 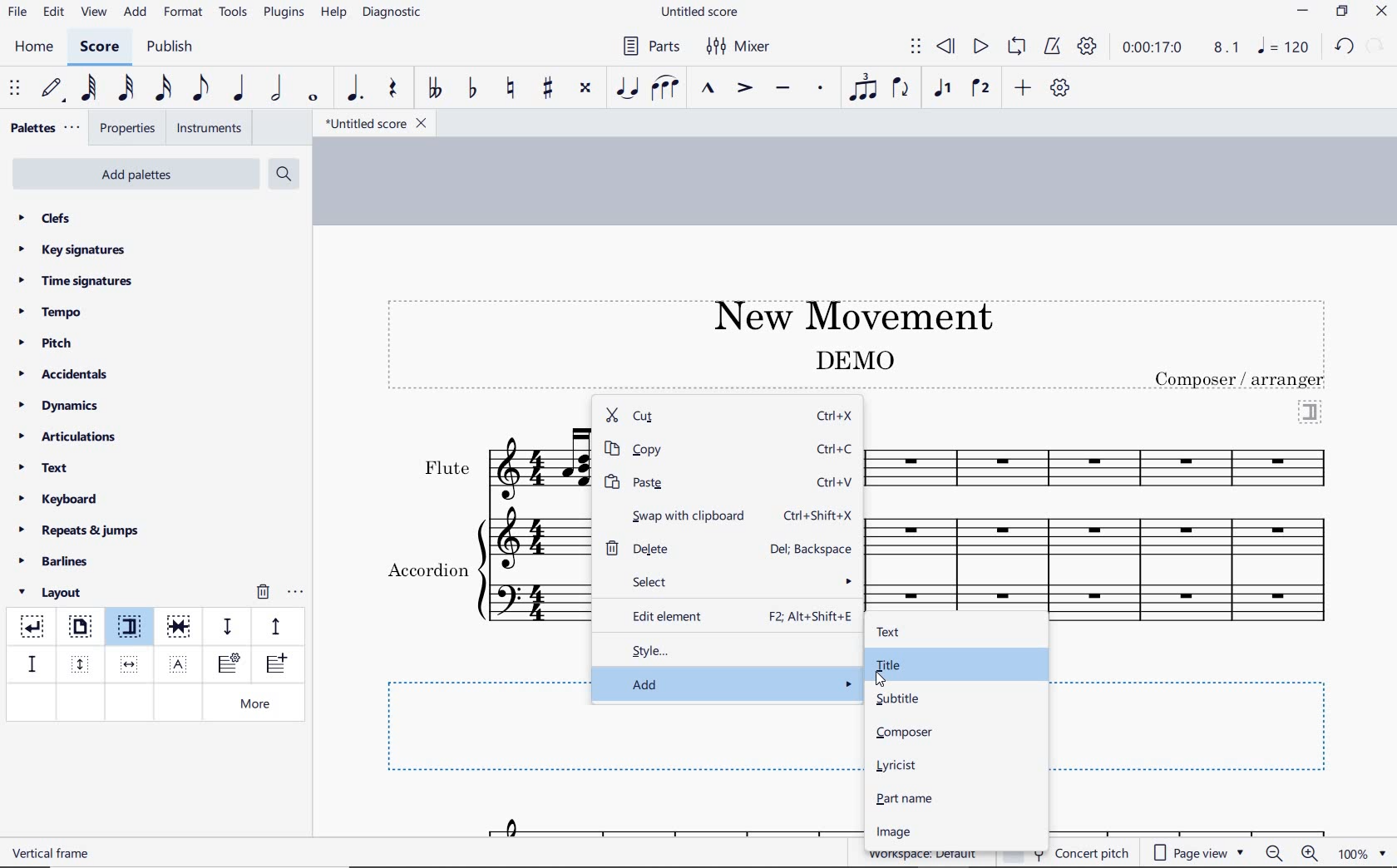 What do you see at coordinates (629, 89) in the screenshot?
I see `tie` at bounding box center [629, 89].